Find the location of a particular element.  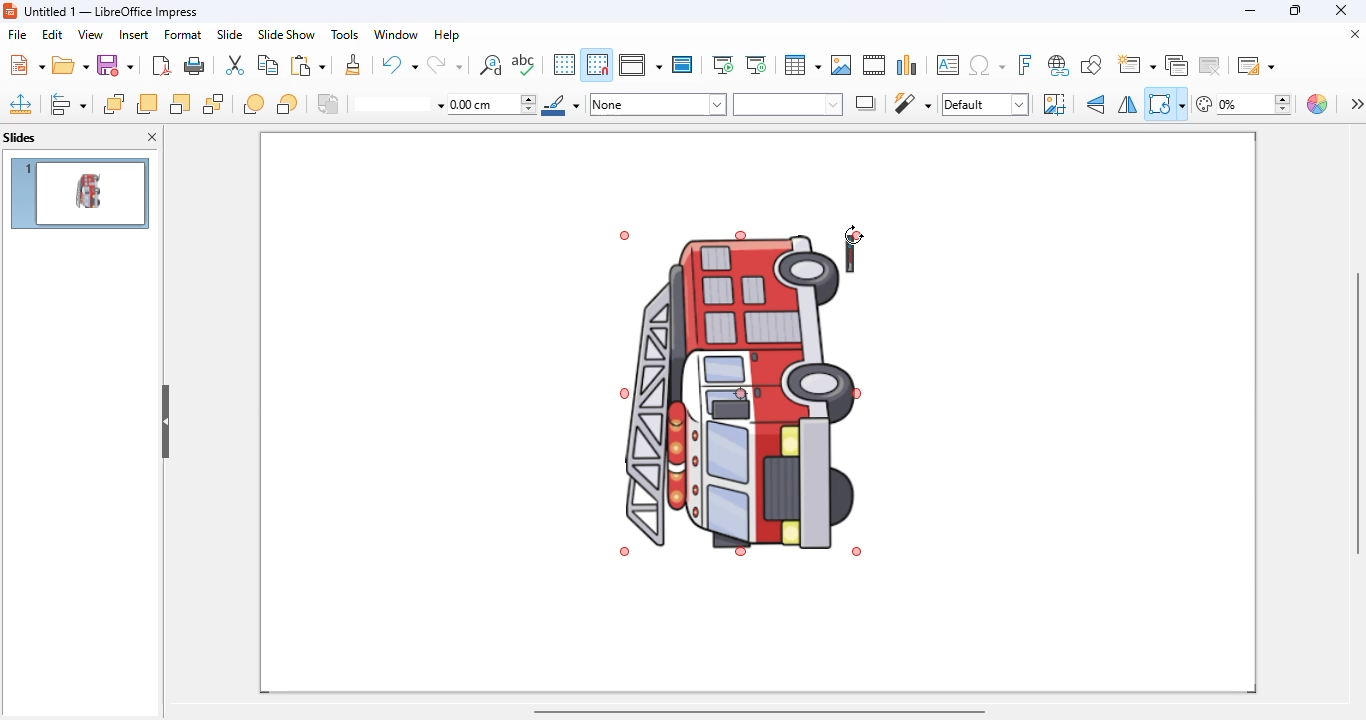

paste is located at coordinates (307, 64).